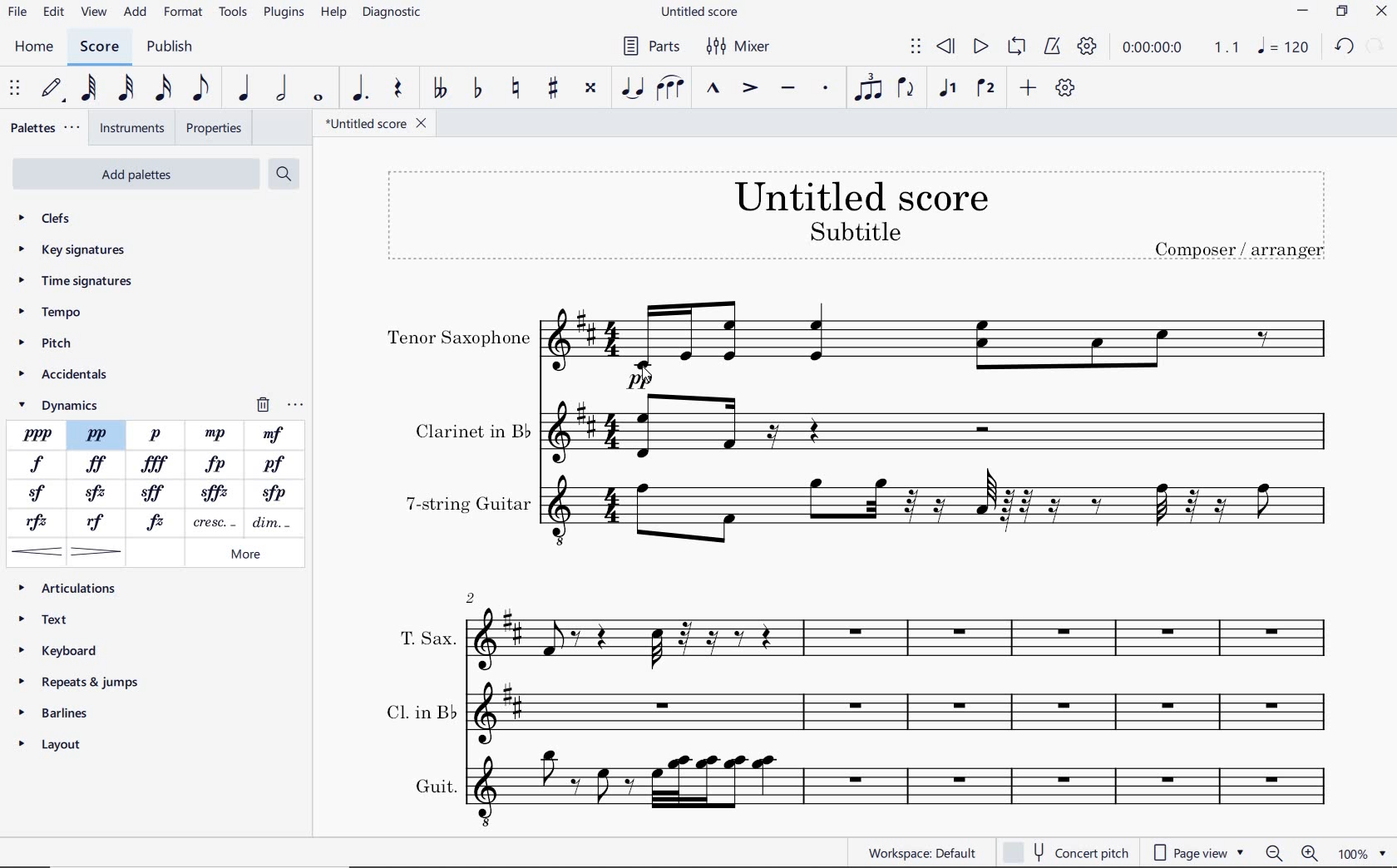 This screenshot has width=1397, height=868. Describe the element at coordinates (65, 218) in the screenshot. I see `clefs` at that location.